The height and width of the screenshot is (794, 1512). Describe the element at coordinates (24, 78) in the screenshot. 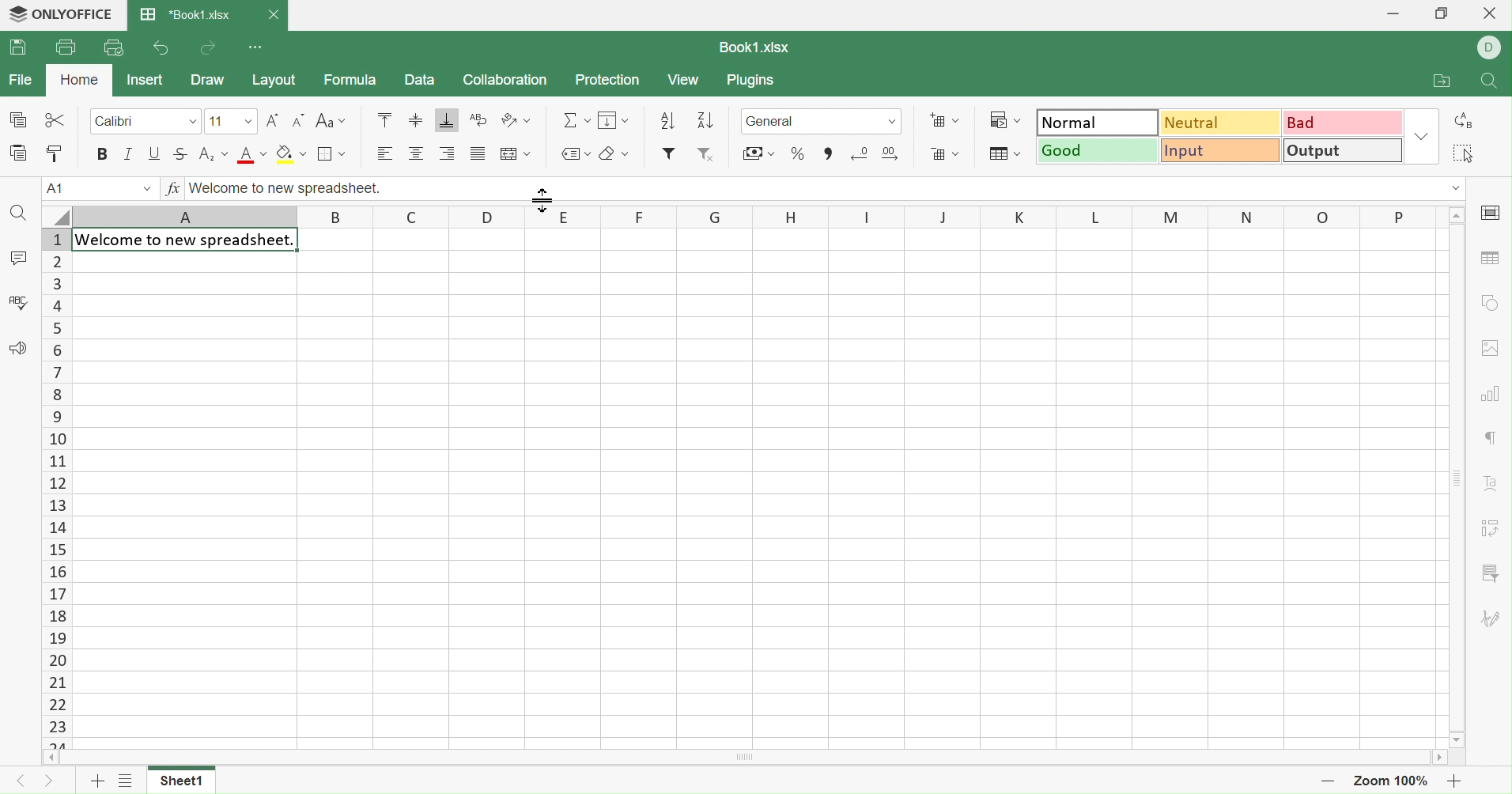

I see `File` at that location.